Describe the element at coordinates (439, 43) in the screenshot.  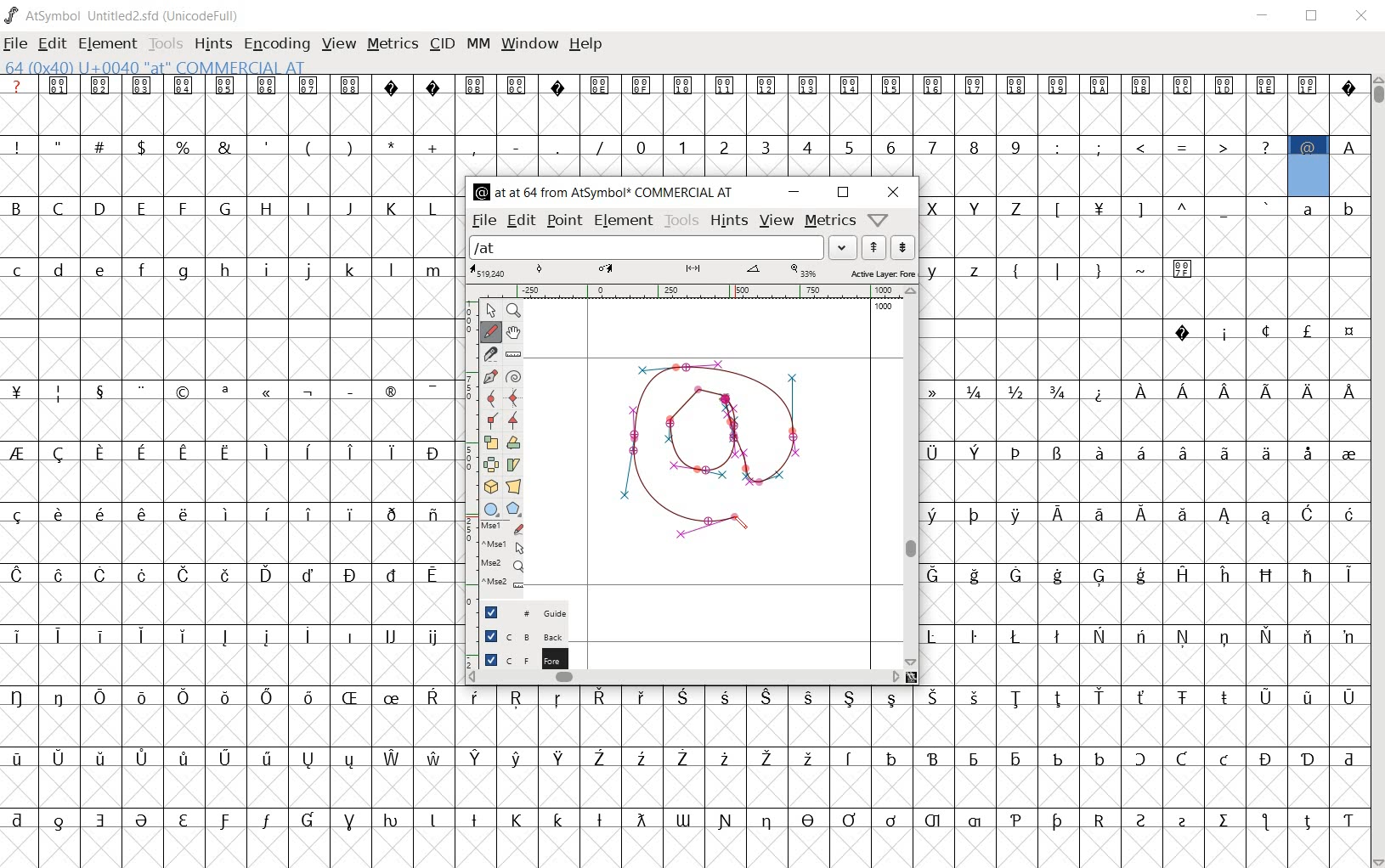
I see `CID` at that location.